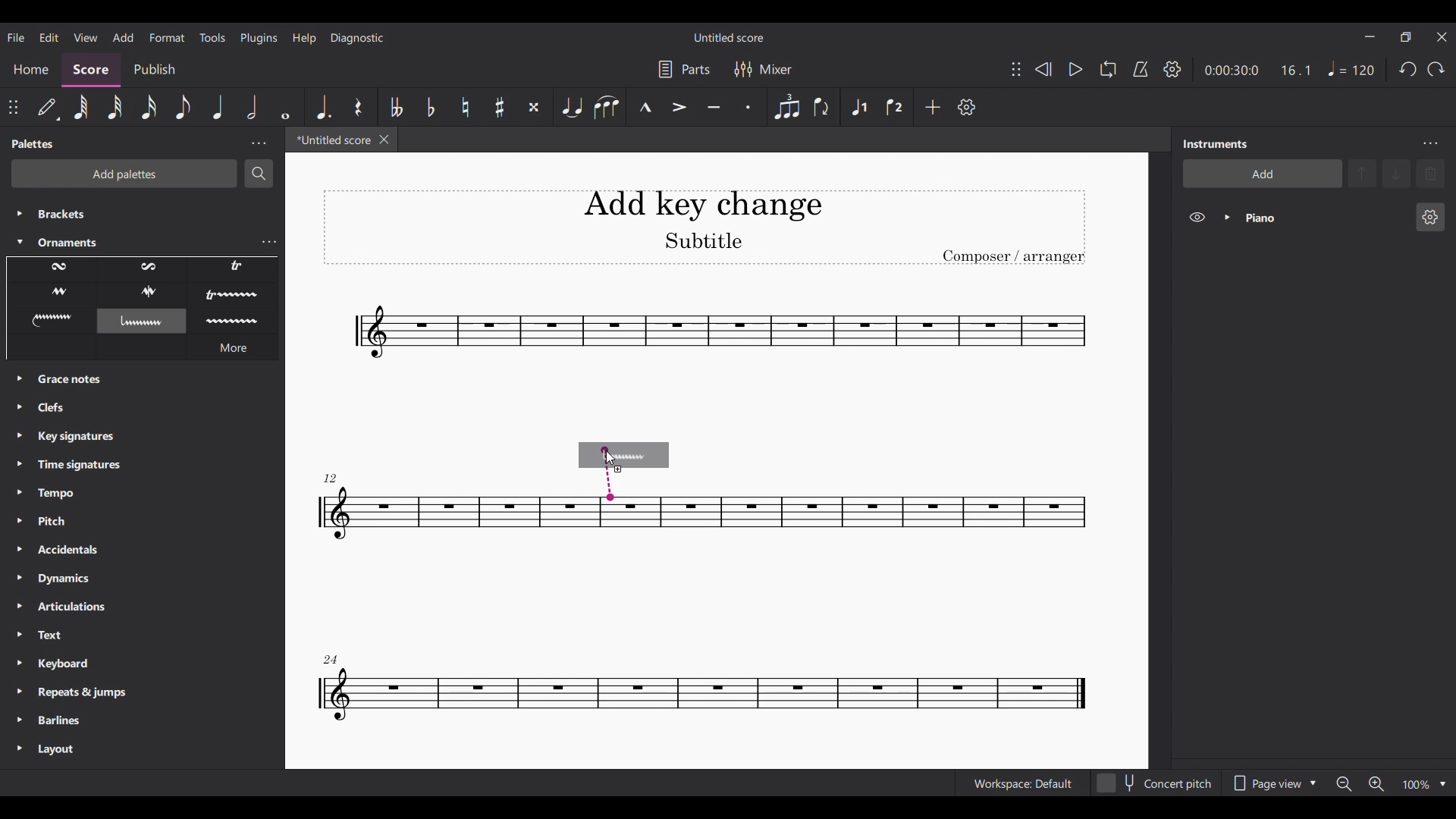 This screenshot has width=1456, height=819. Describe the element at coordinates (259, 37) in the screenshot. I see `Plugins menu` at that location.